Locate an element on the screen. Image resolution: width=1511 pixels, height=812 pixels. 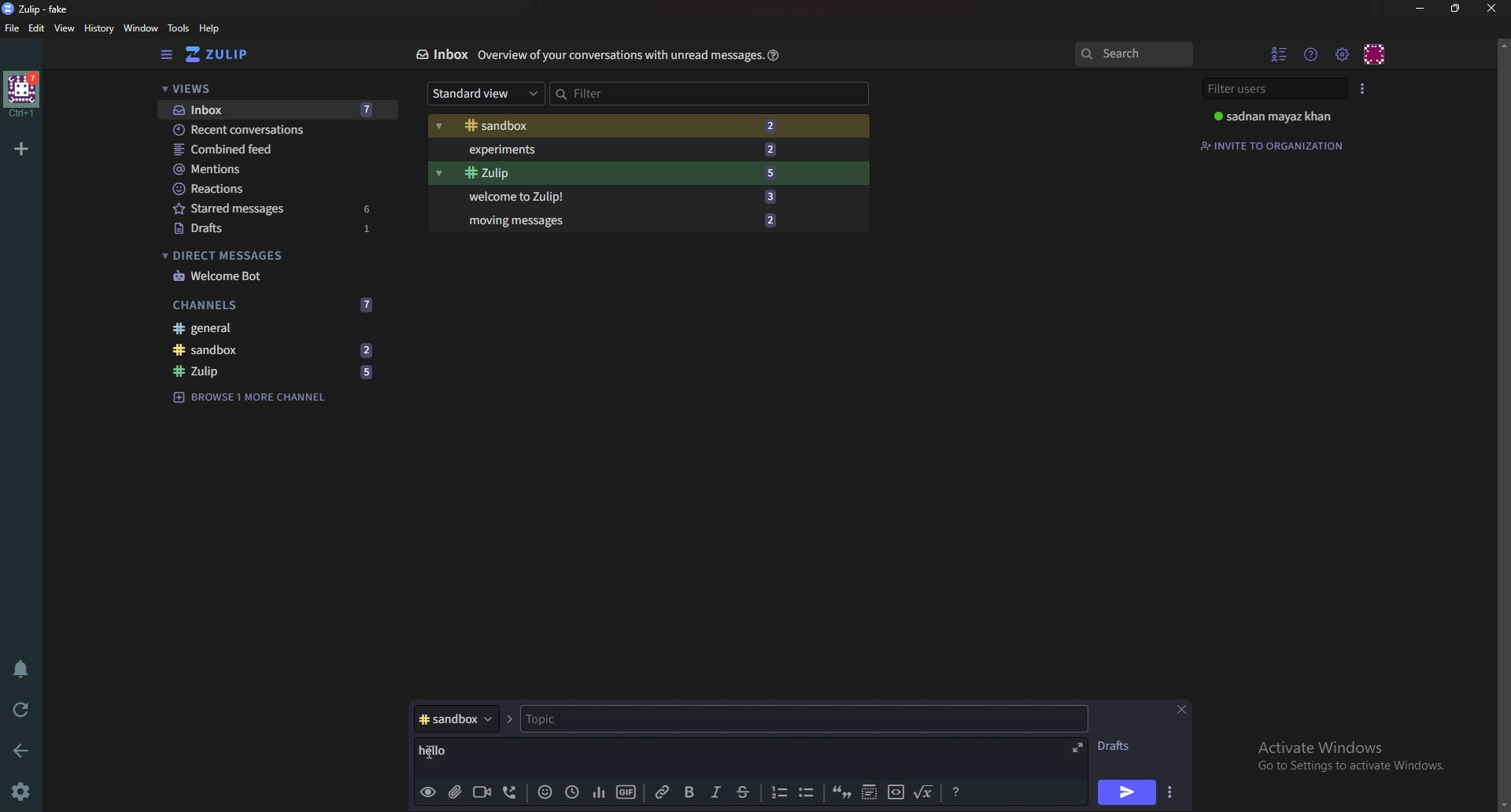
Inbox is located at coordinates (443, 55).